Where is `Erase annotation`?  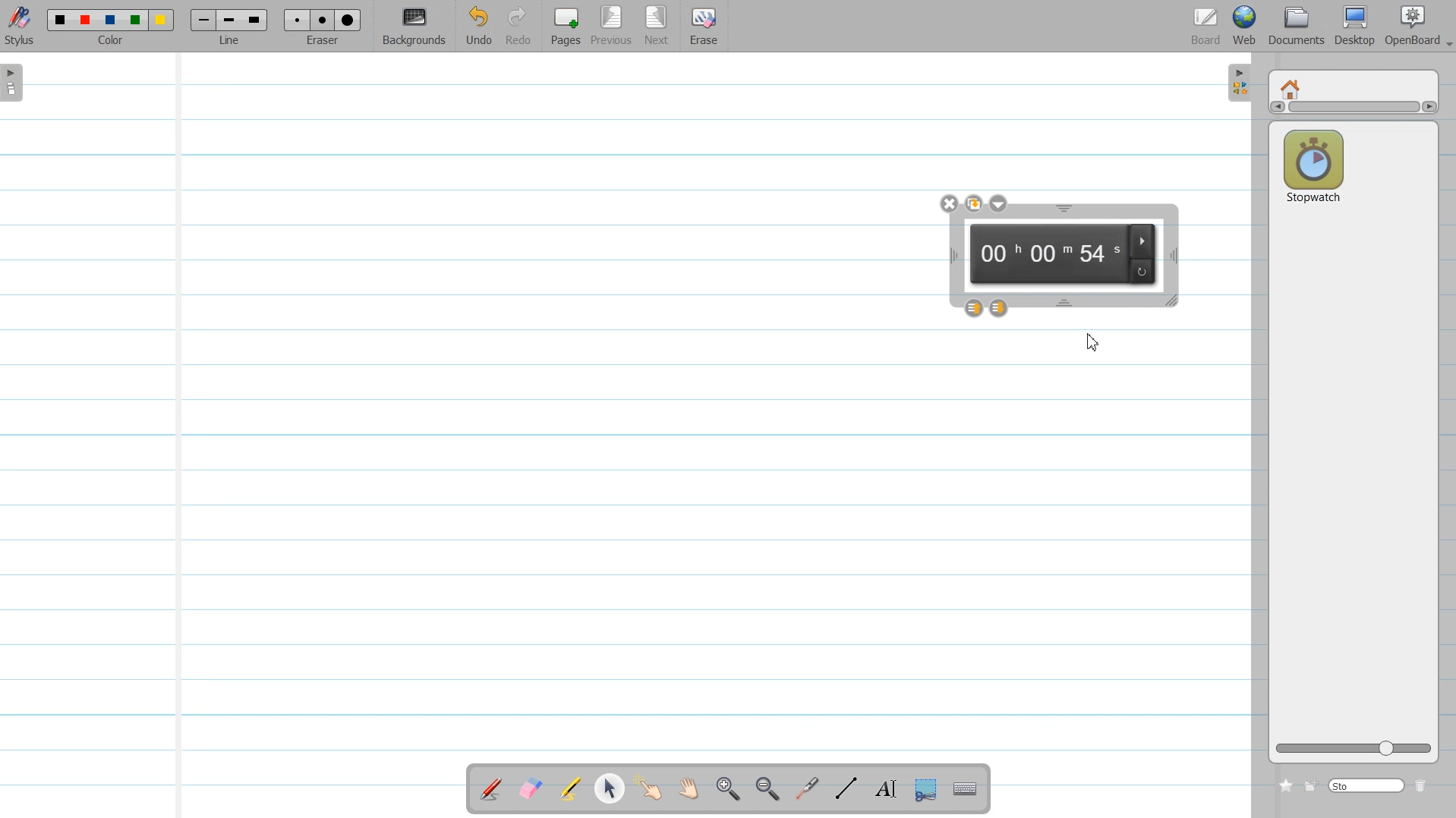
Erase annotation is located at coordinates (529, 788).